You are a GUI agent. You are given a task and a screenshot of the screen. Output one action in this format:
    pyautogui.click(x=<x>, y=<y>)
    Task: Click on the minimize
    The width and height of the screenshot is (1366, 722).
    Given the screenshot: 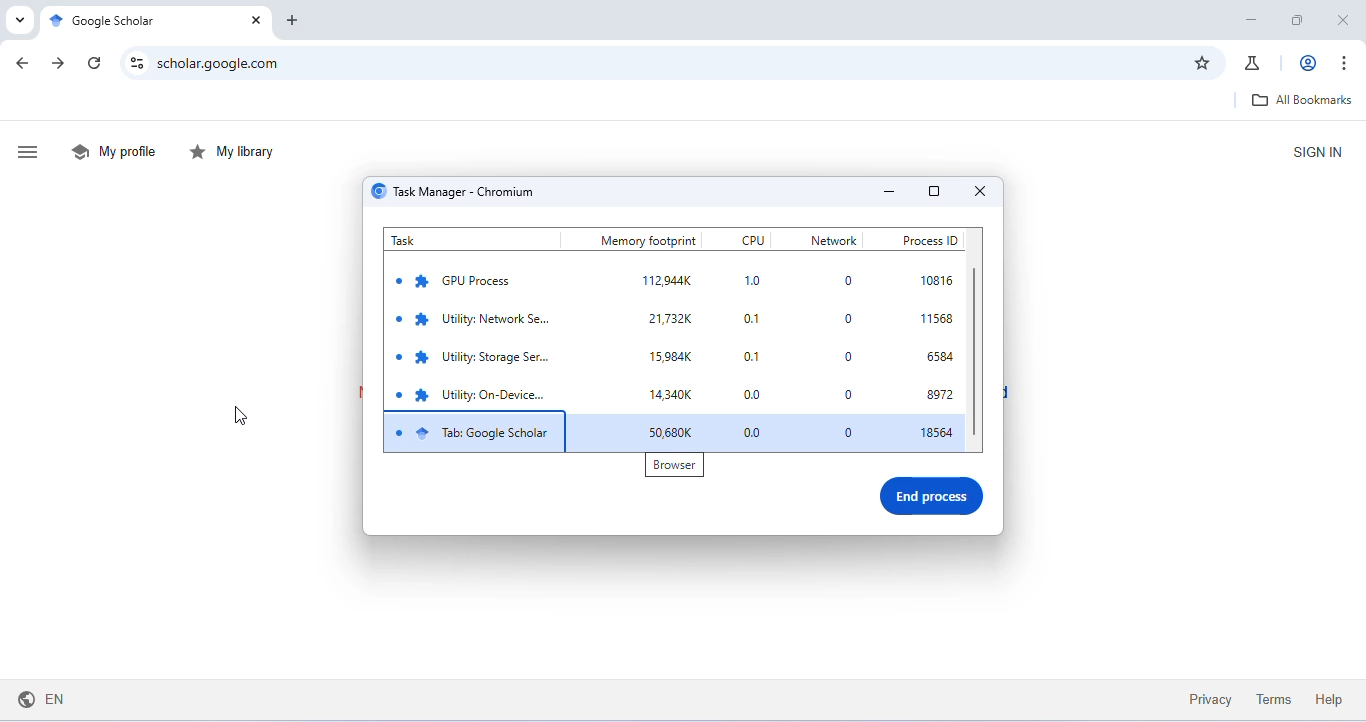 What is the action you would take?
    pyautogui.click(x=1251, y=21)
    